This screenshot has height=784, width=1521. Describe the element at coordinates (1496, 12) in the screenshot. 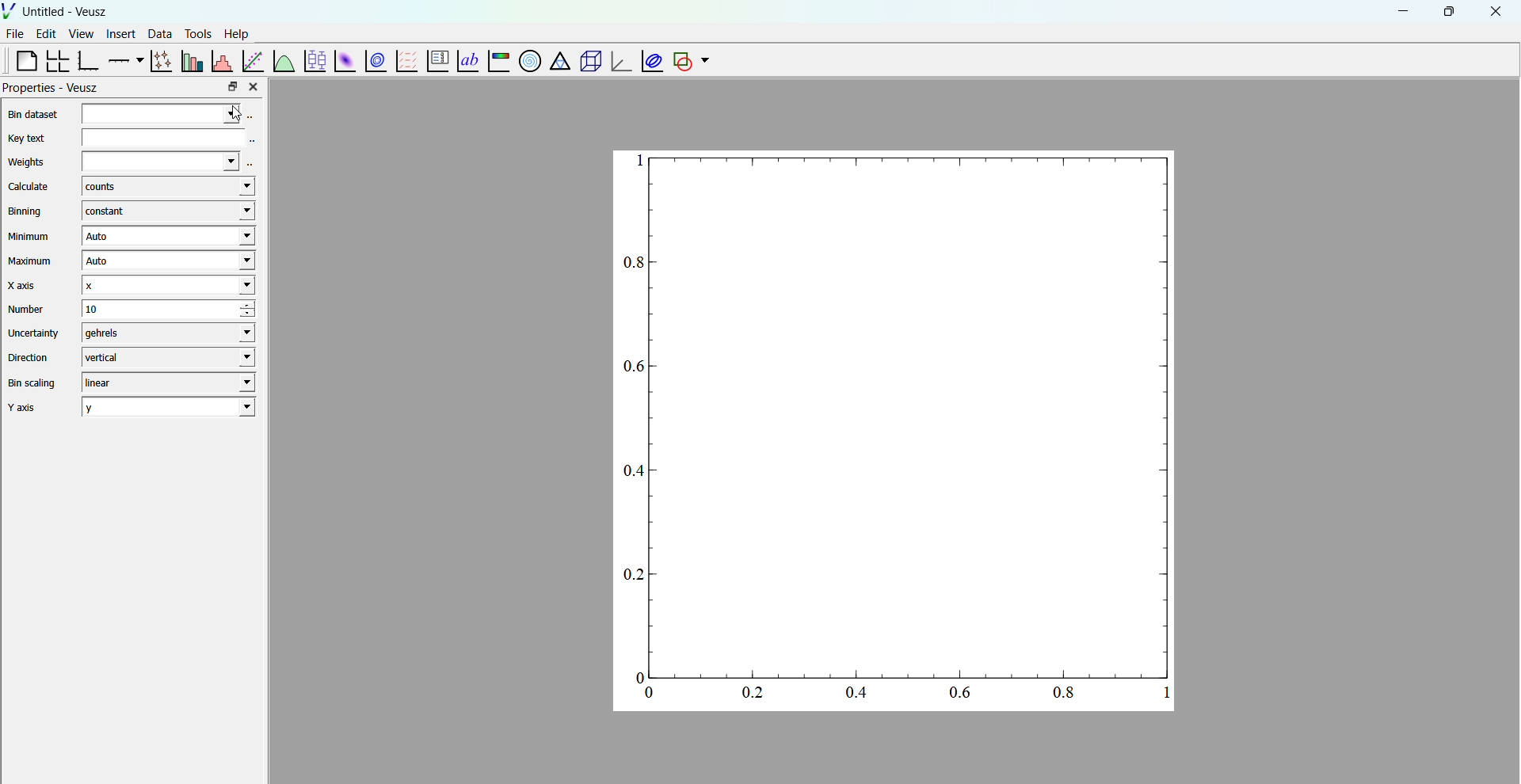

I see `close` at that location.